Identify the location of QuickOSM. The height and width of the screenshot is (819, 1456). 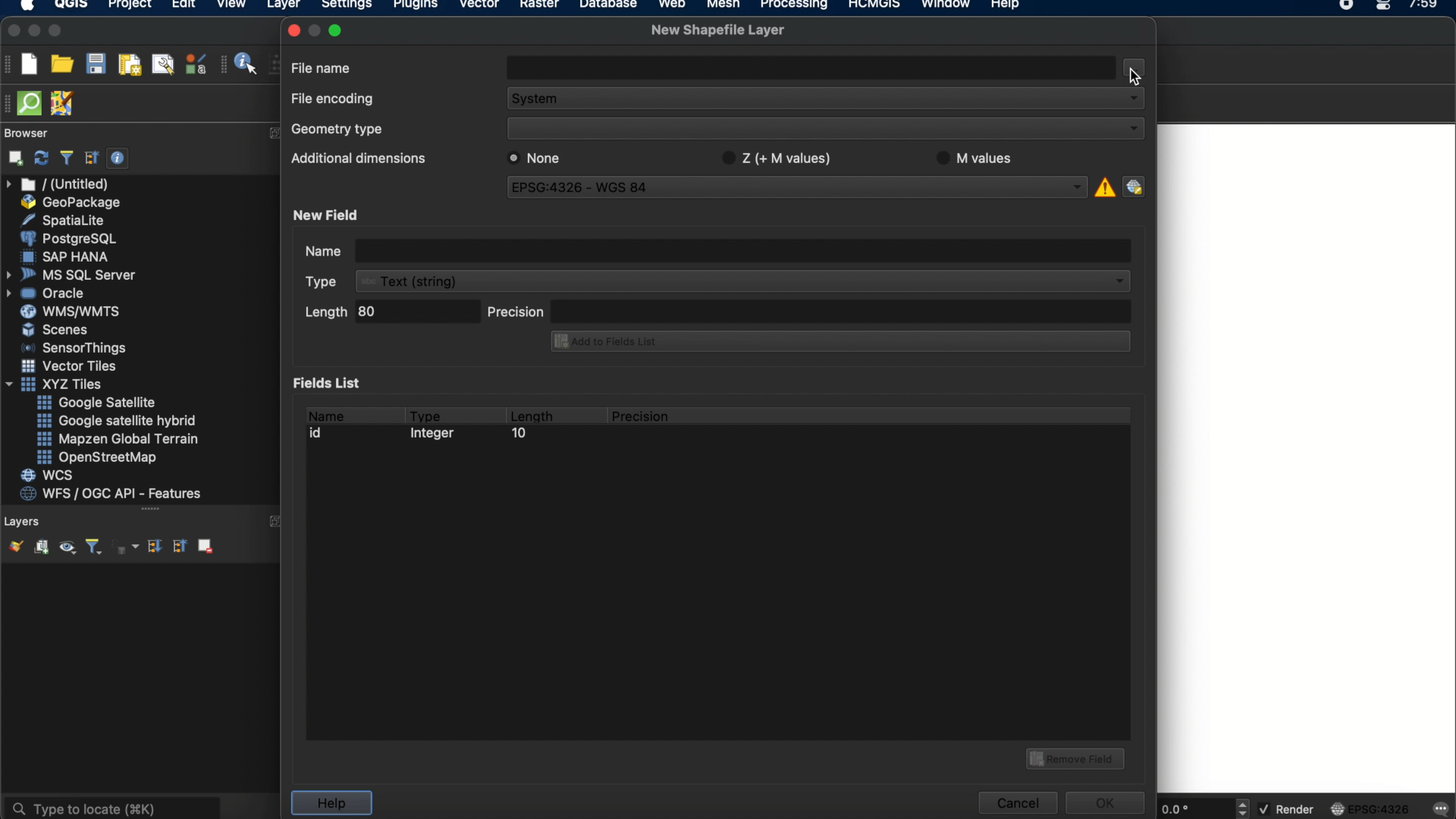
(33, 103).